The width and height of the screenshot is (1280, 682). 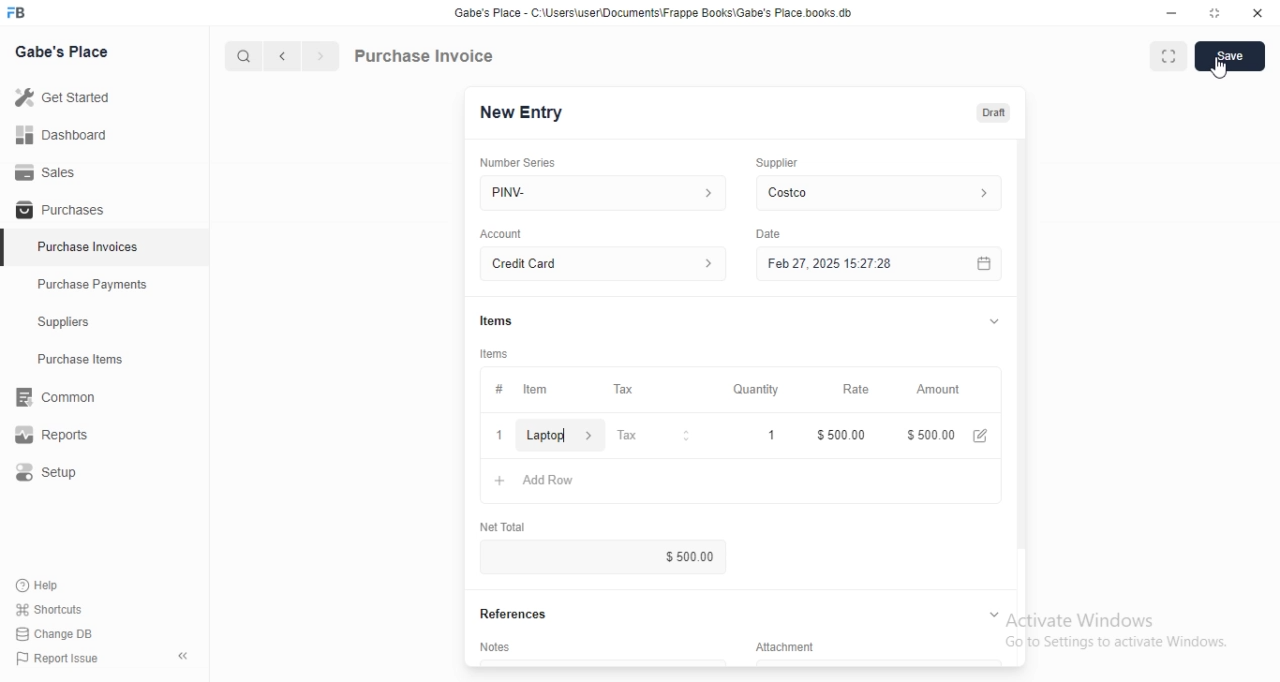 I want to click on Tax, so click(x=651, y=435).